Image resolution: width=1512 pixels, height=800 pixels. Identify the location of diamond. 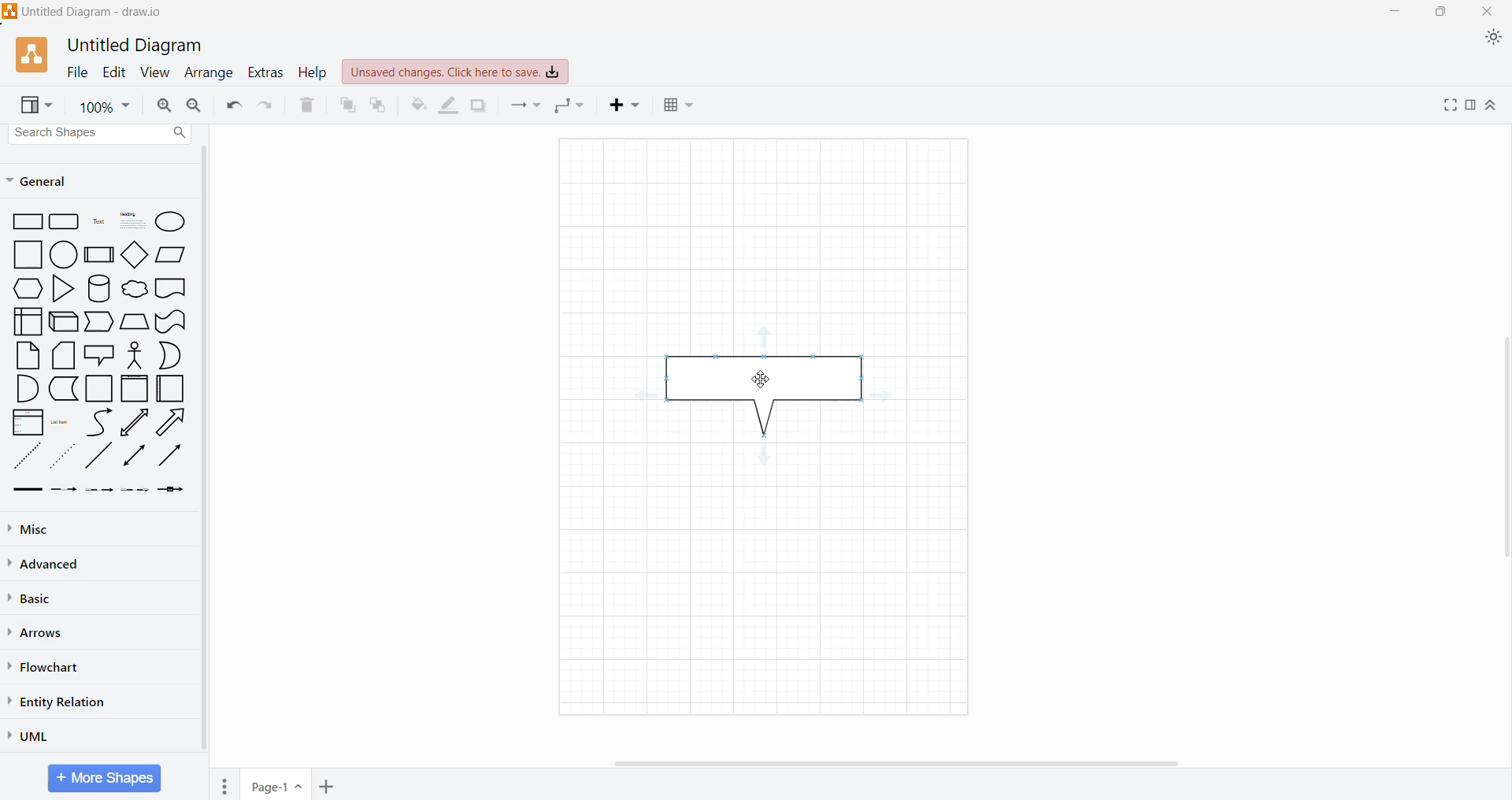
(134, 254).